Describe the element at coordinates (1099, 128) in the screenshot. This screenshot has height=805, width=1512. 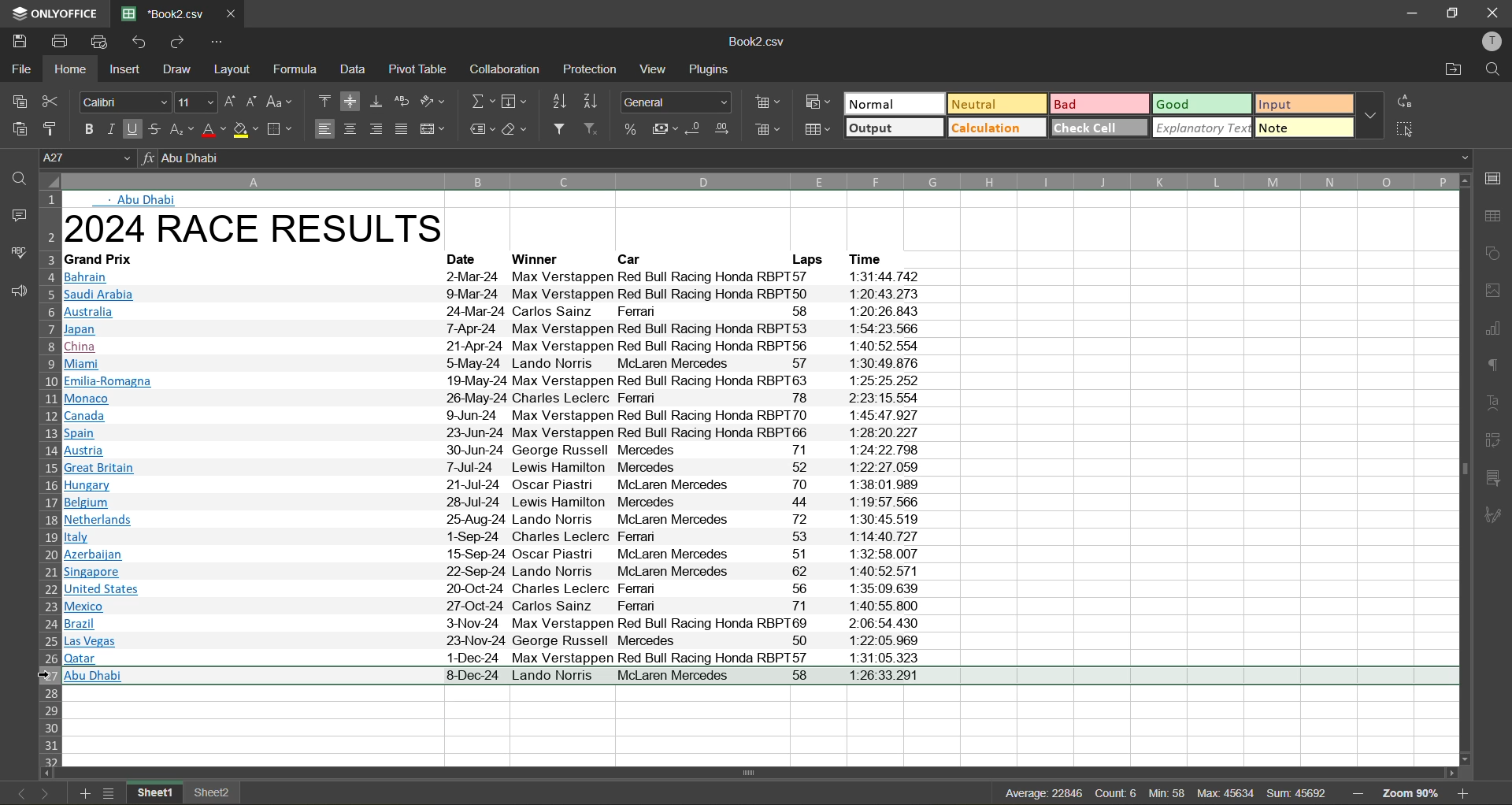
I see `check cell` at that location.